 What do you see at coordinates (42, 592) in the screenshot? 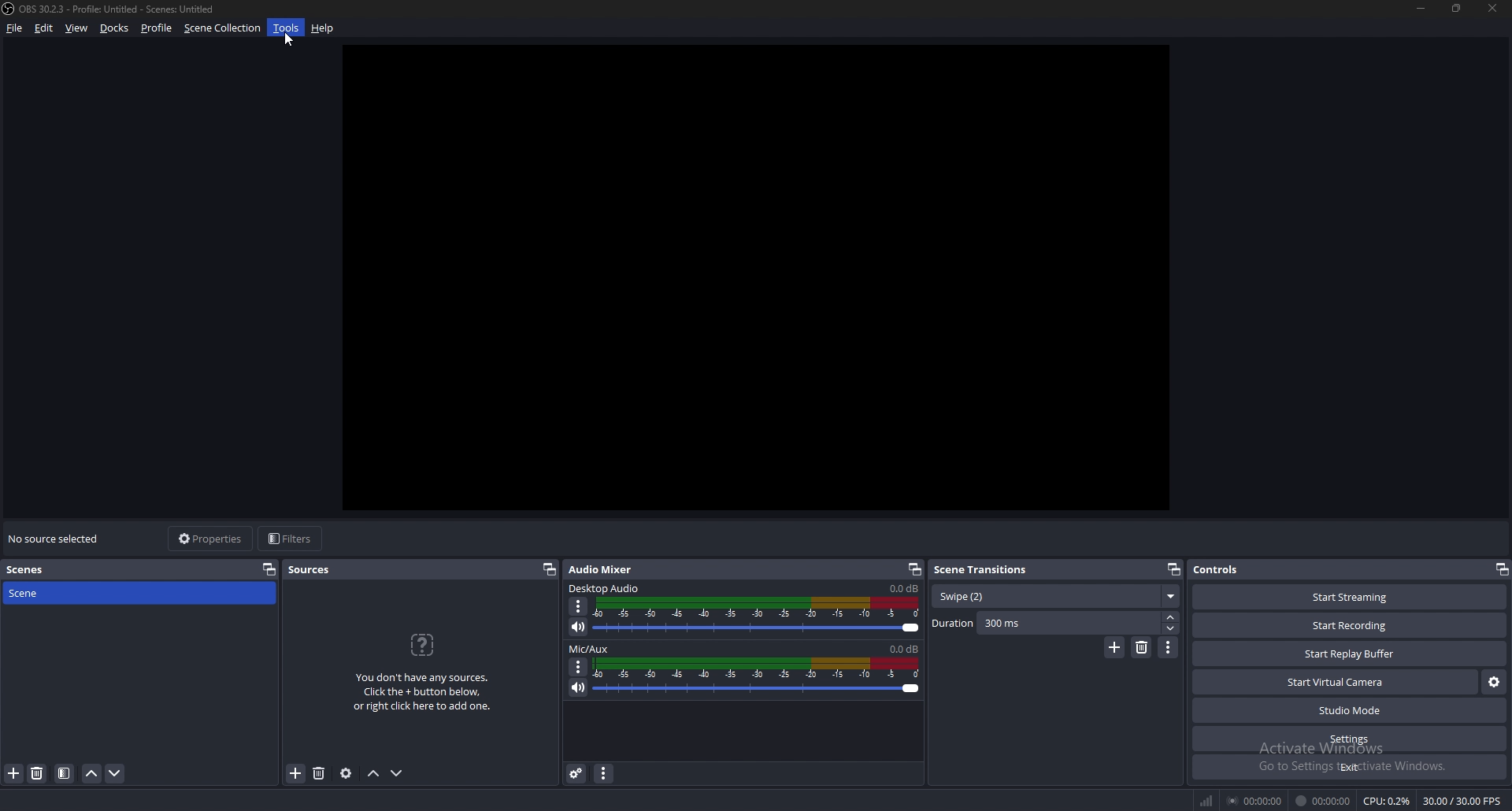
I see `scene` at bounding box center [42, 592].